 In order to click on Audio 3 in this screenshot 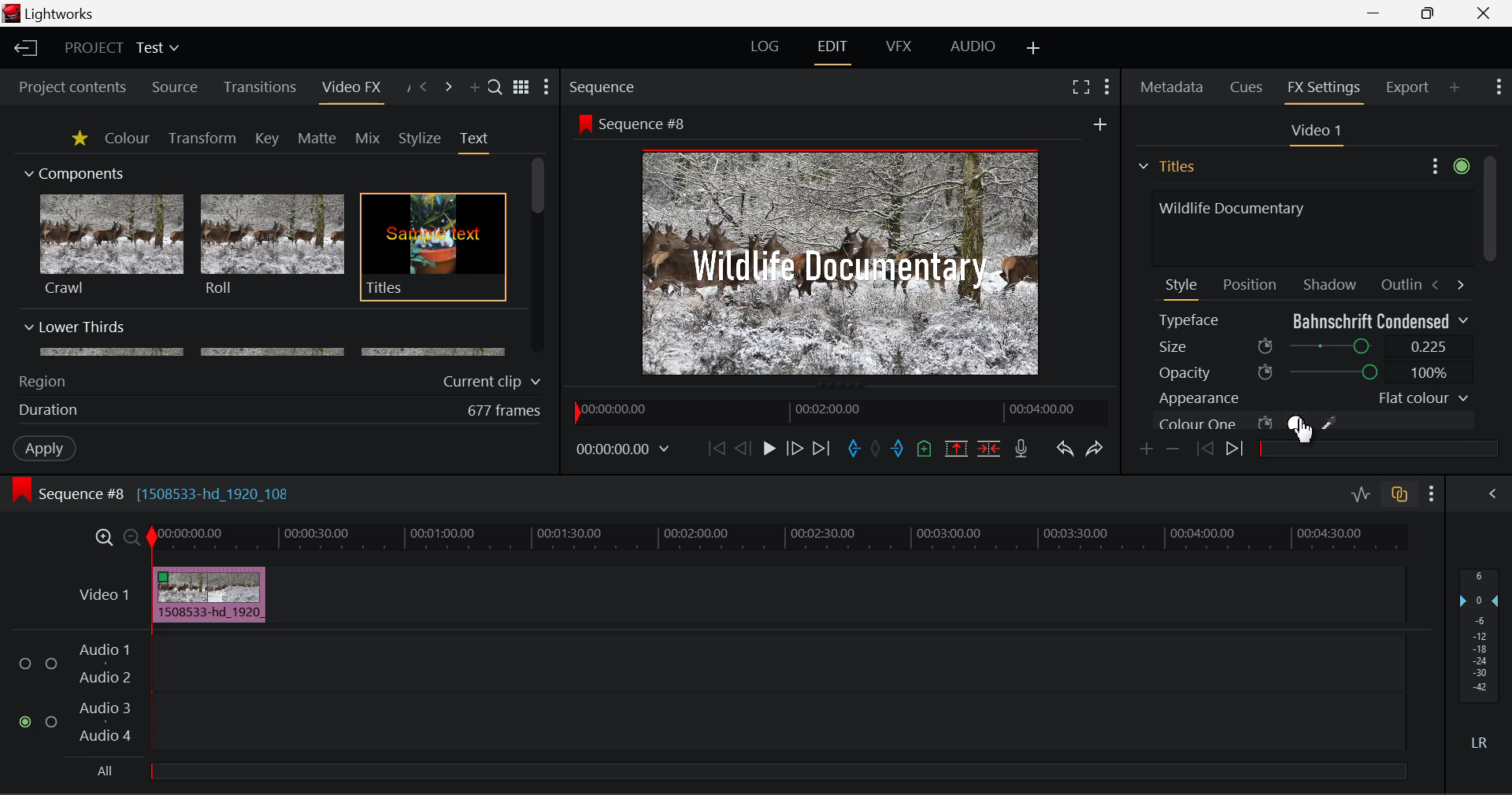, I will do `click(104, 707)`.